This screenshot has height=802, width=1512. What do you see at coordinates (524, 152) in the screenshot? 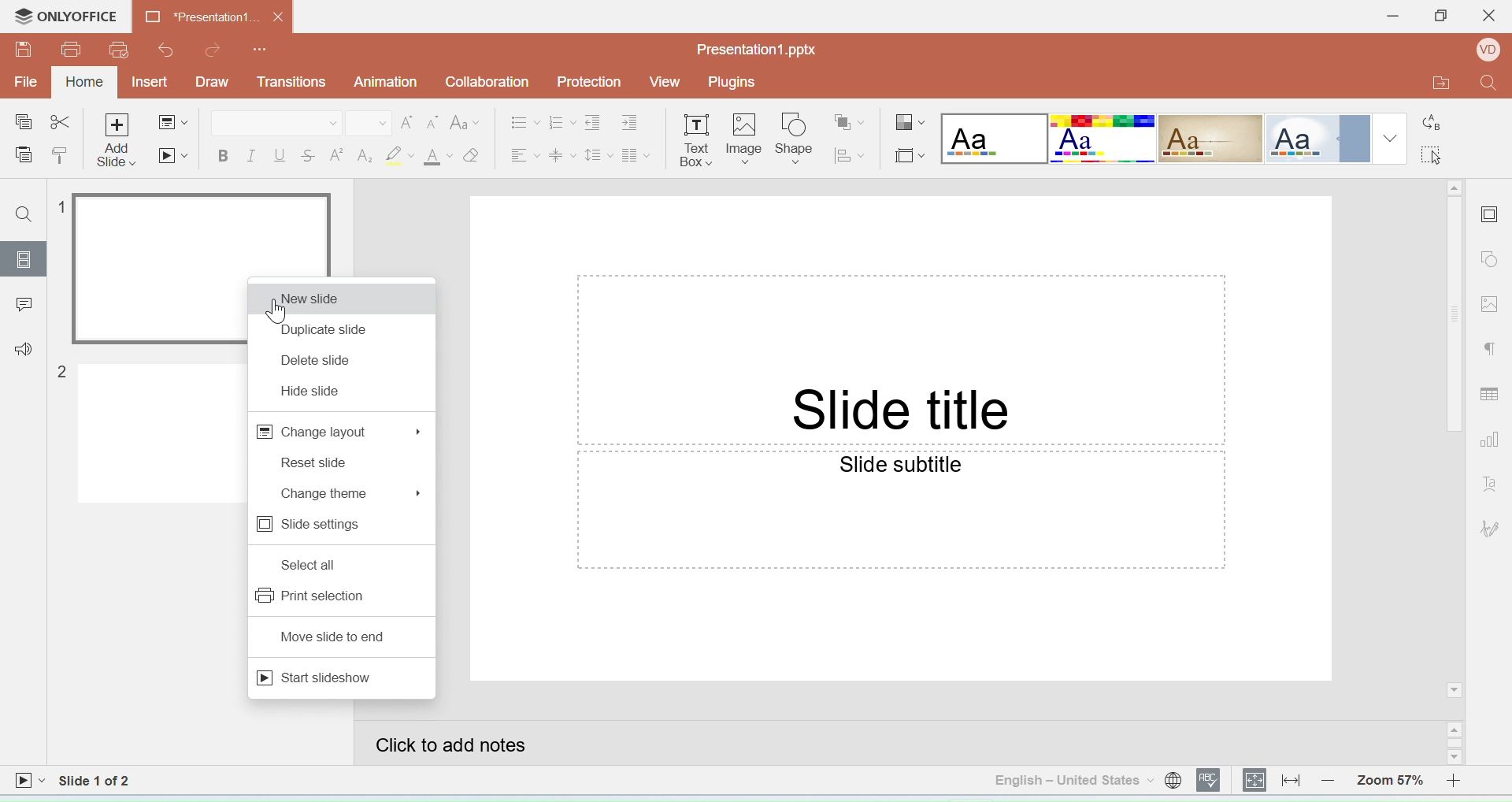
I see `Horizontal align` at bounding box center [524, 152].